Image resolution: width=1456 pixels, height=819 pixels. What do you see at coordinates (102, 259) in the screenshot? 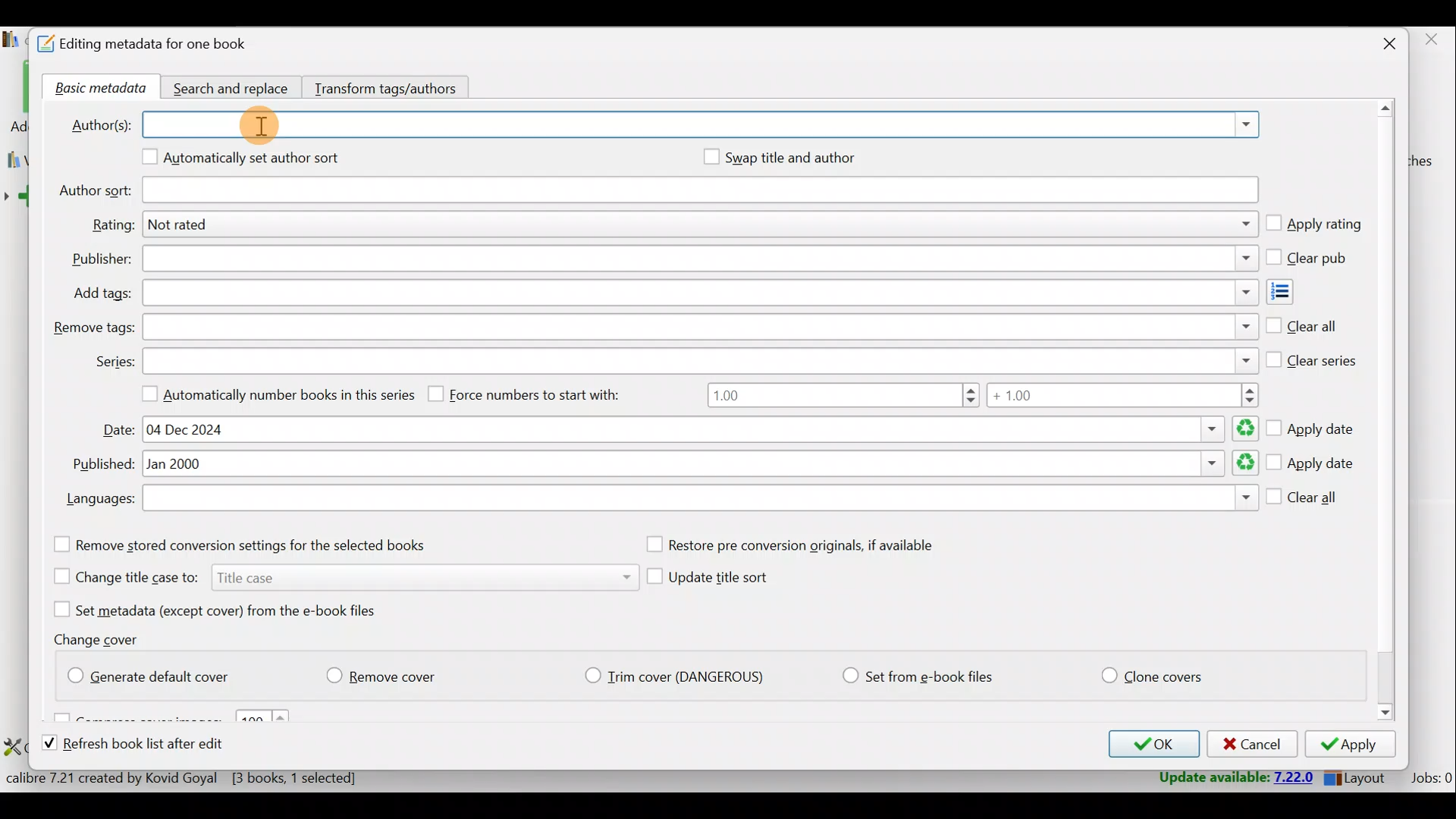
I see `Publisher:` at bounding box center [102, 259].